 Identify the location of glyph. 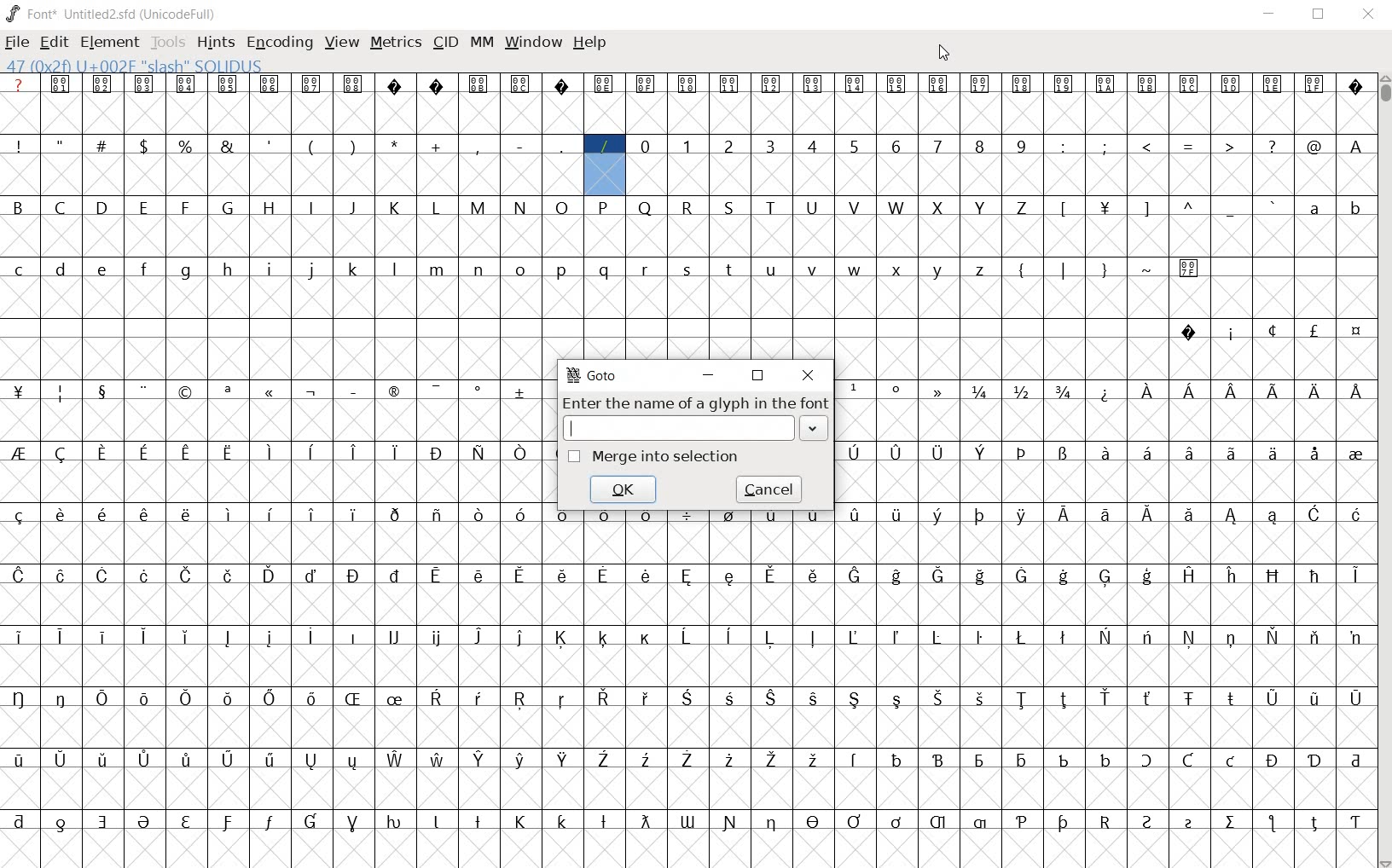
(1357, 332).